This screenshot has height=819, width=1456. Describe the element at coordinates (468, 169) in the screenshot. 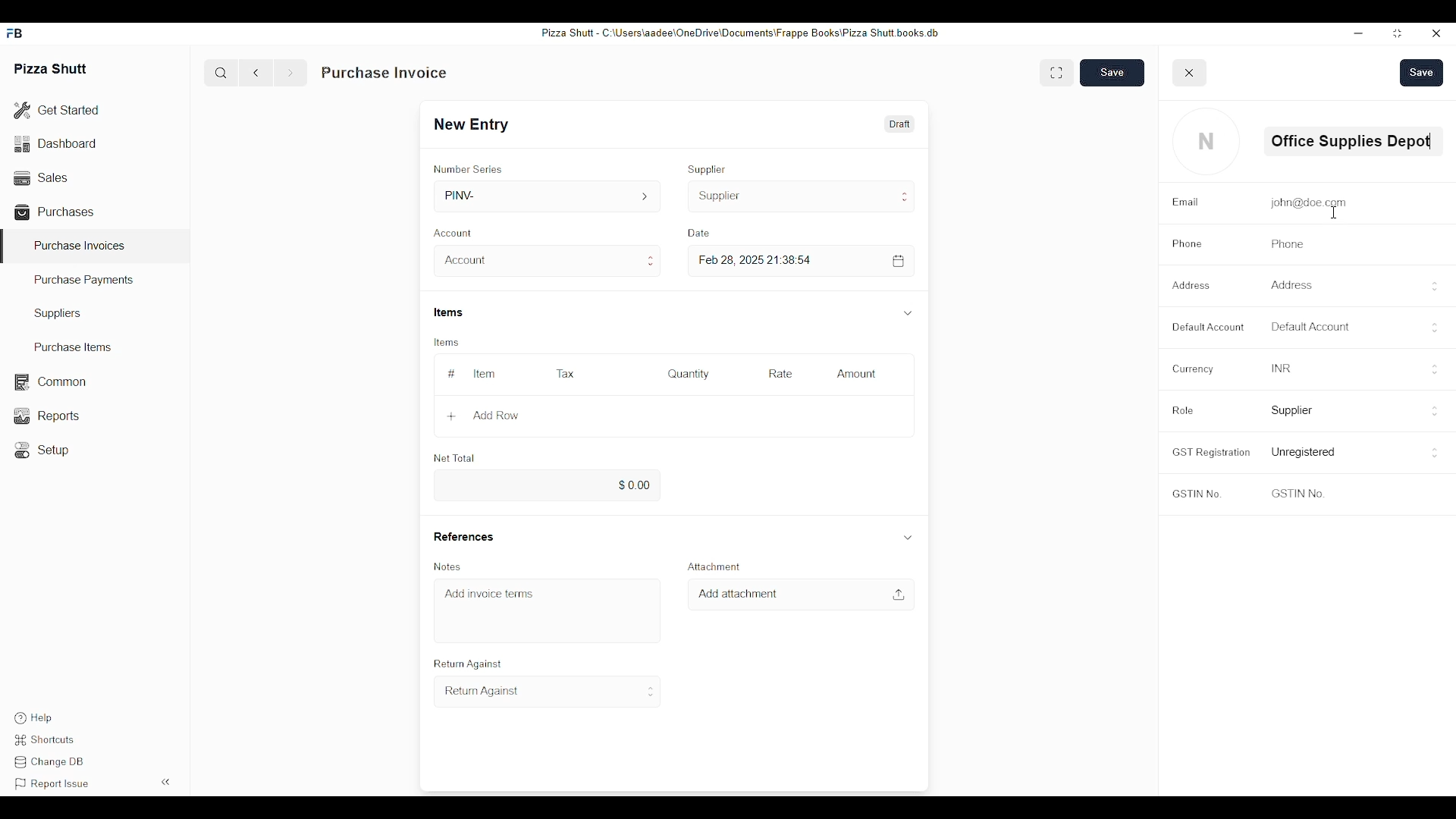

I see `Number Series` at that location.